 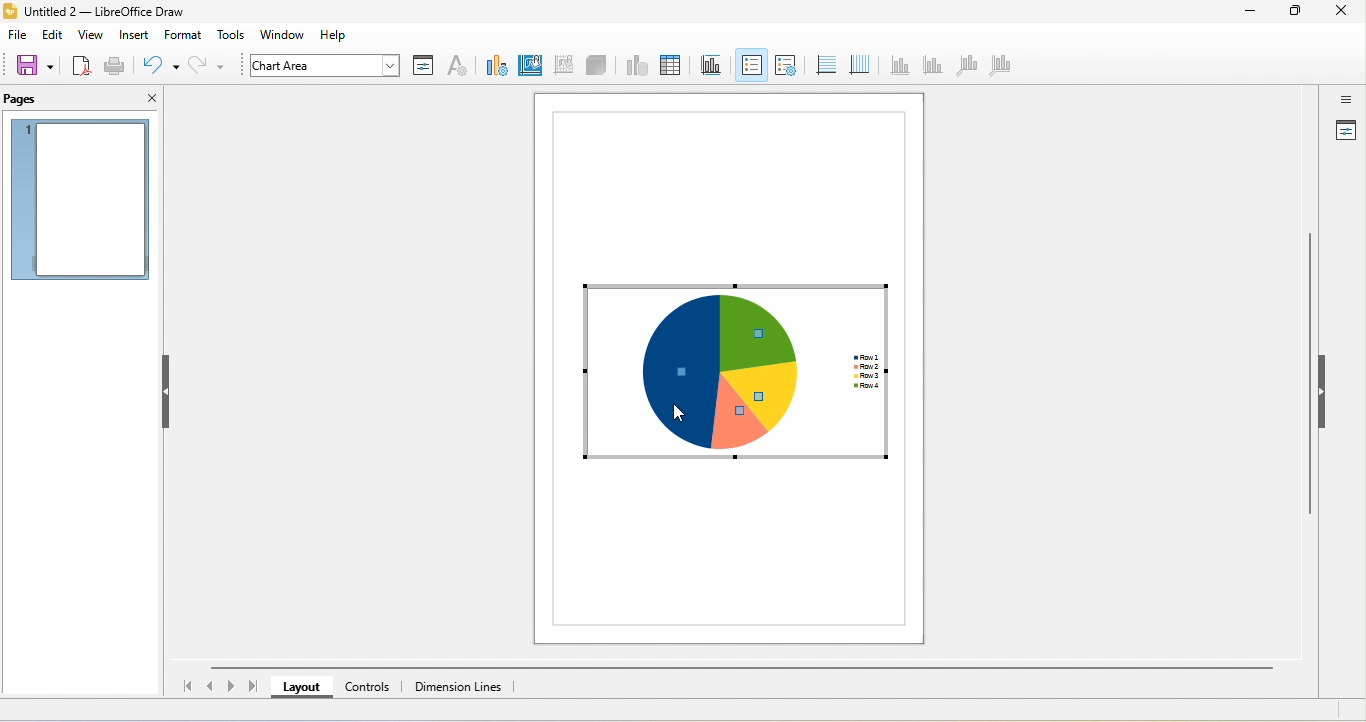 I want to click on legend on/ off, so click(x=751, y=65).